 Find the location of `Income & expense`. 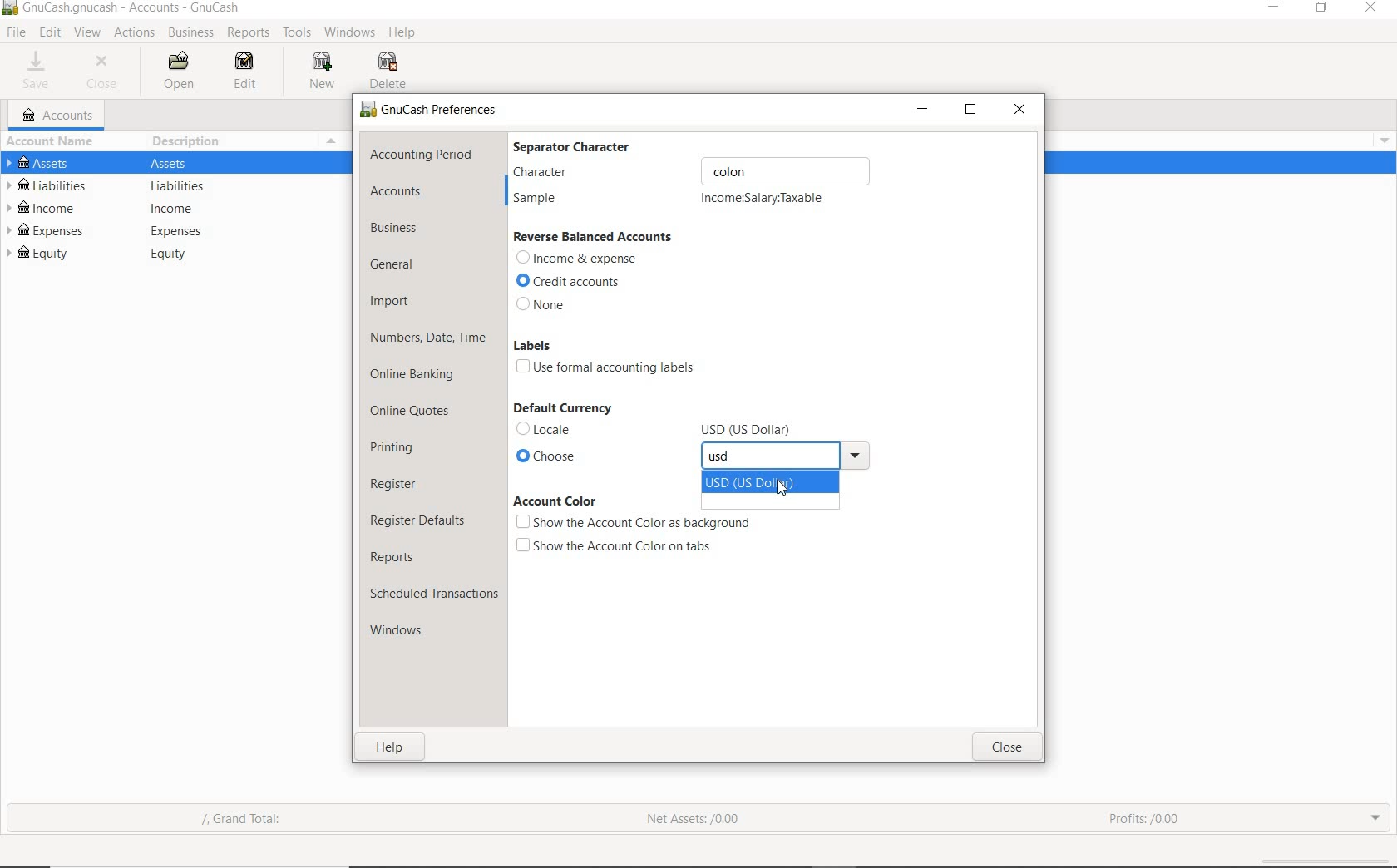

Income & expense is located at coordinates (578, 259).